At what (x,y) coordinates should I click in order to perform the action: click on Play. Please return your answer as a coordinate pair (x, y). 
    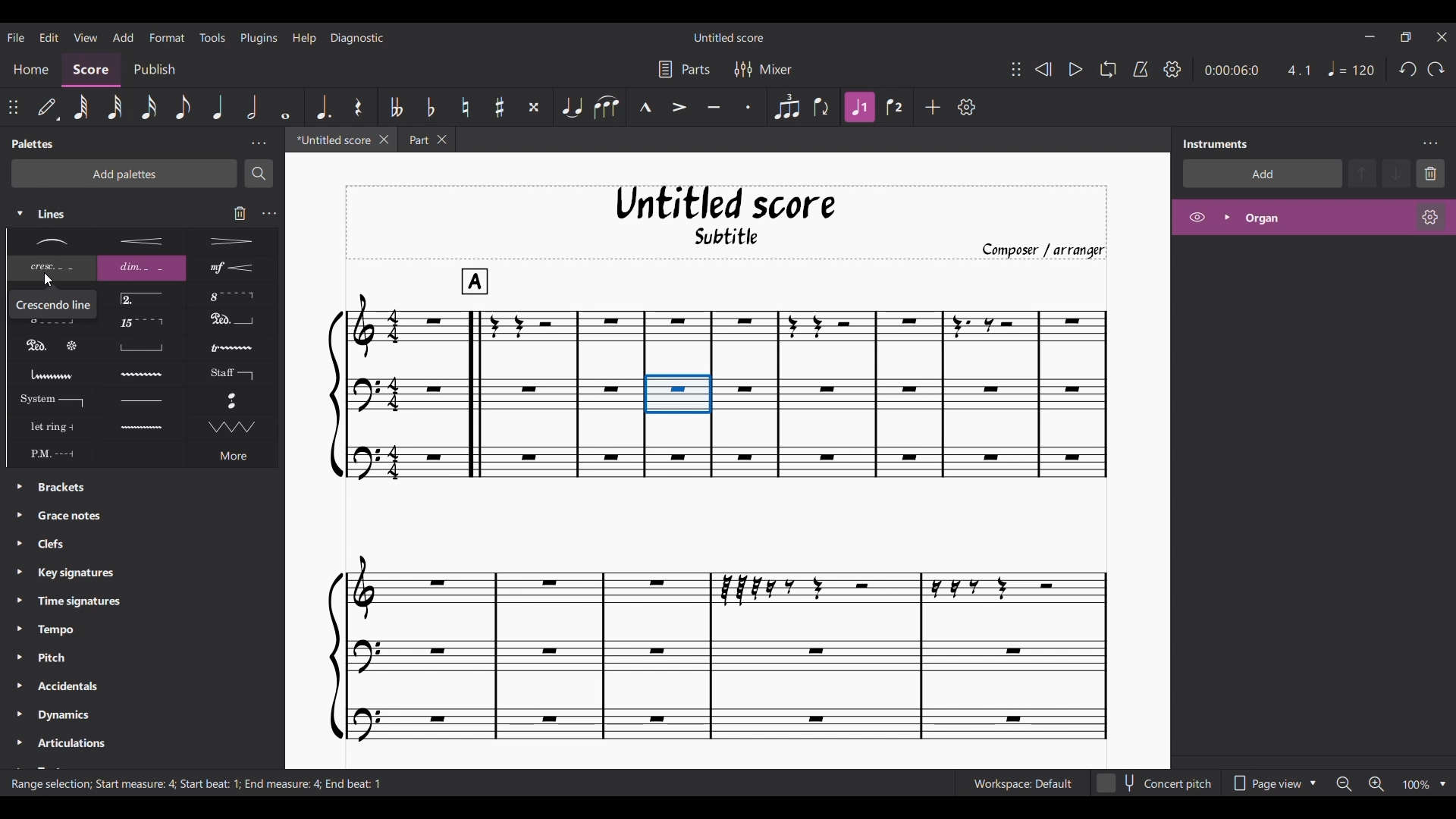
    Looking at the image, I should click on (1075, 70).